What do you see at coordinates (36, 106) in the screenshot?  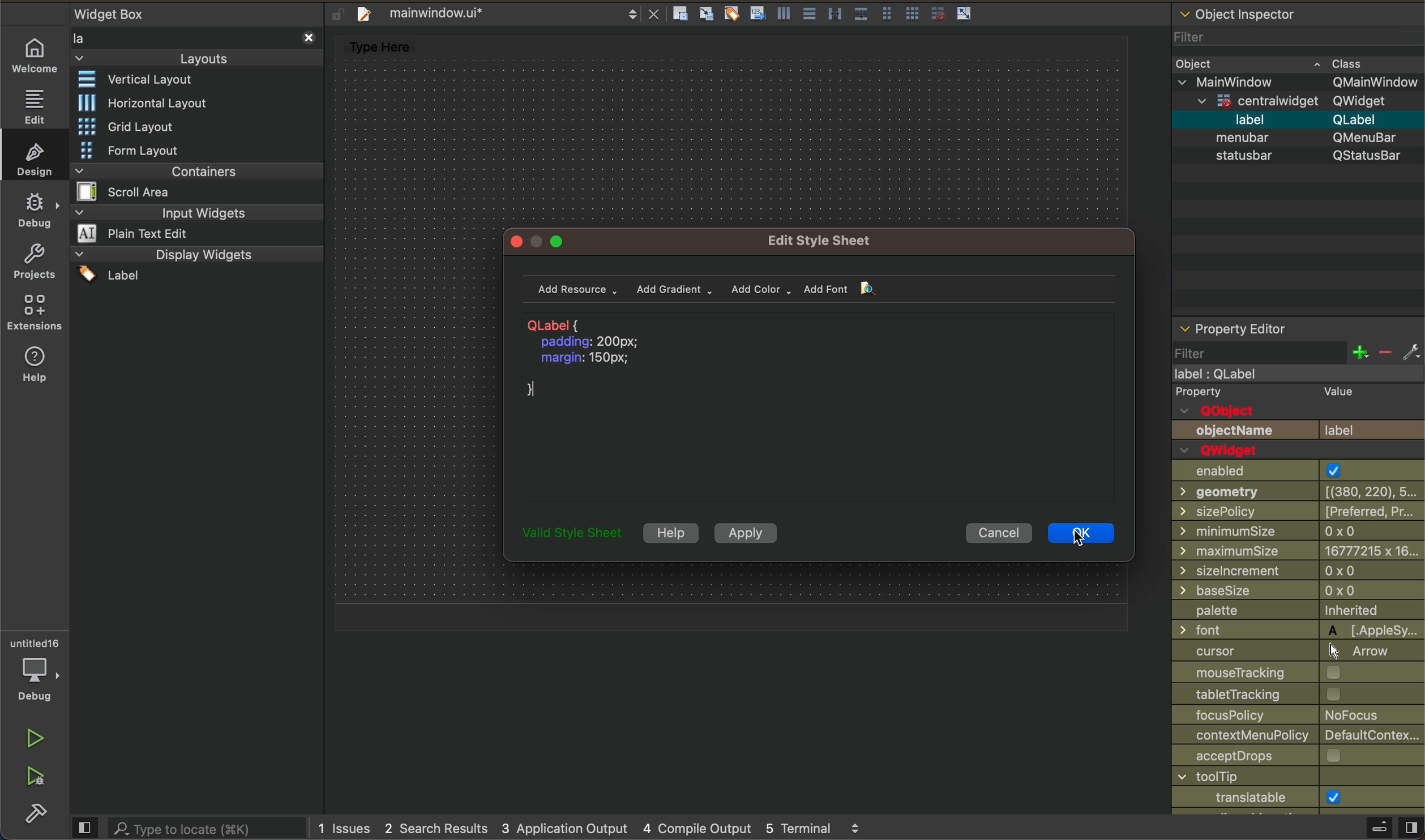 I see `editor` at bounding box center [36, 106].